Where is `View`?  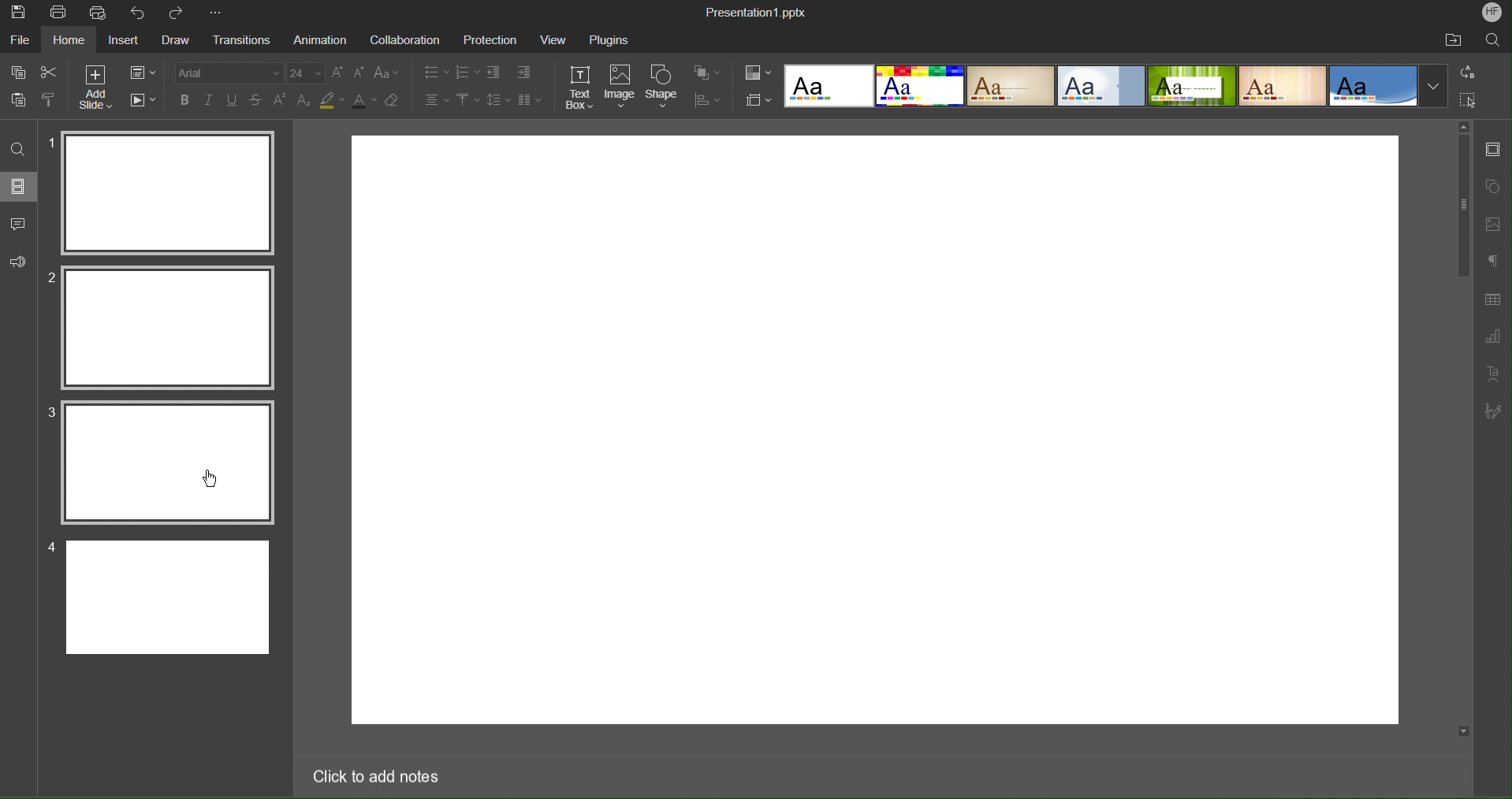
View is located at coordinates (553, 39).